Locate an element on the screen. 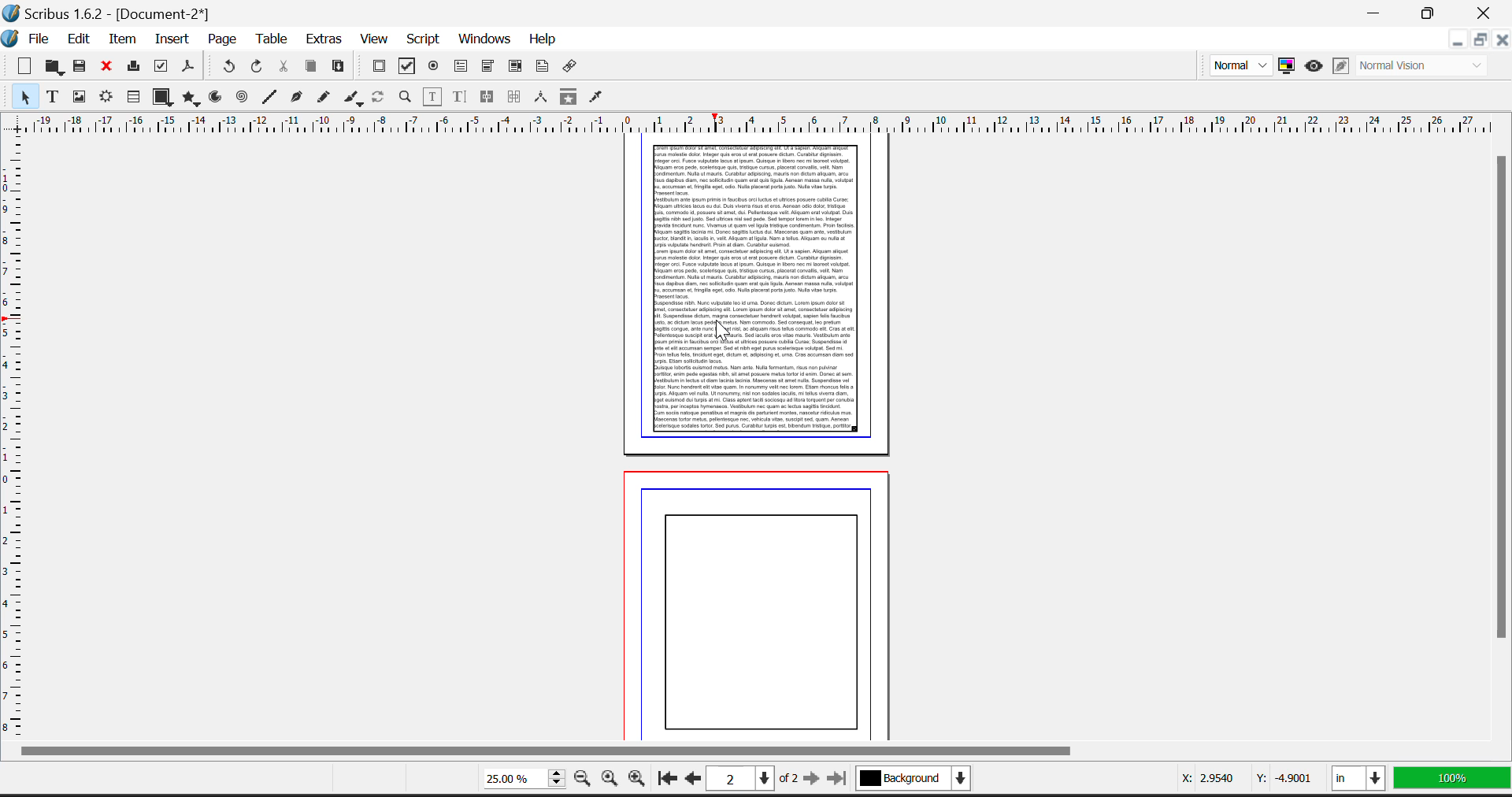  Print is located at coordinates (133, 69).